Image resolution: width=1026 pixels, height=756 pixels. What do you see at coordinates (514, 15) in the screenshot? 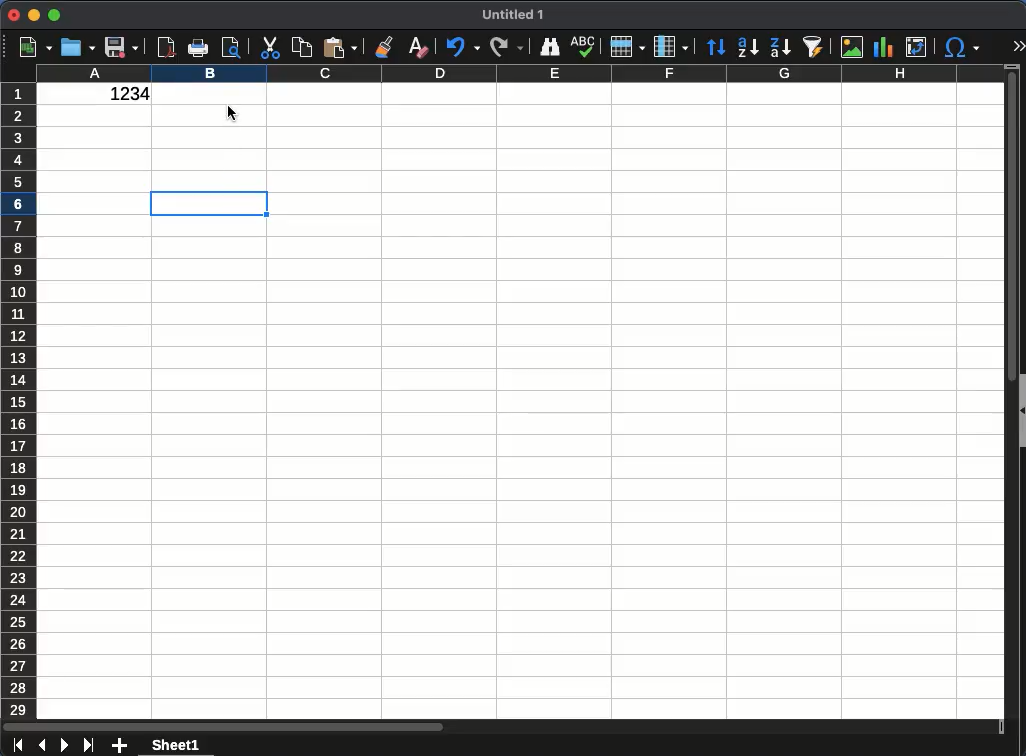
I see `Untitled 1` at bounding box center [514, 15].